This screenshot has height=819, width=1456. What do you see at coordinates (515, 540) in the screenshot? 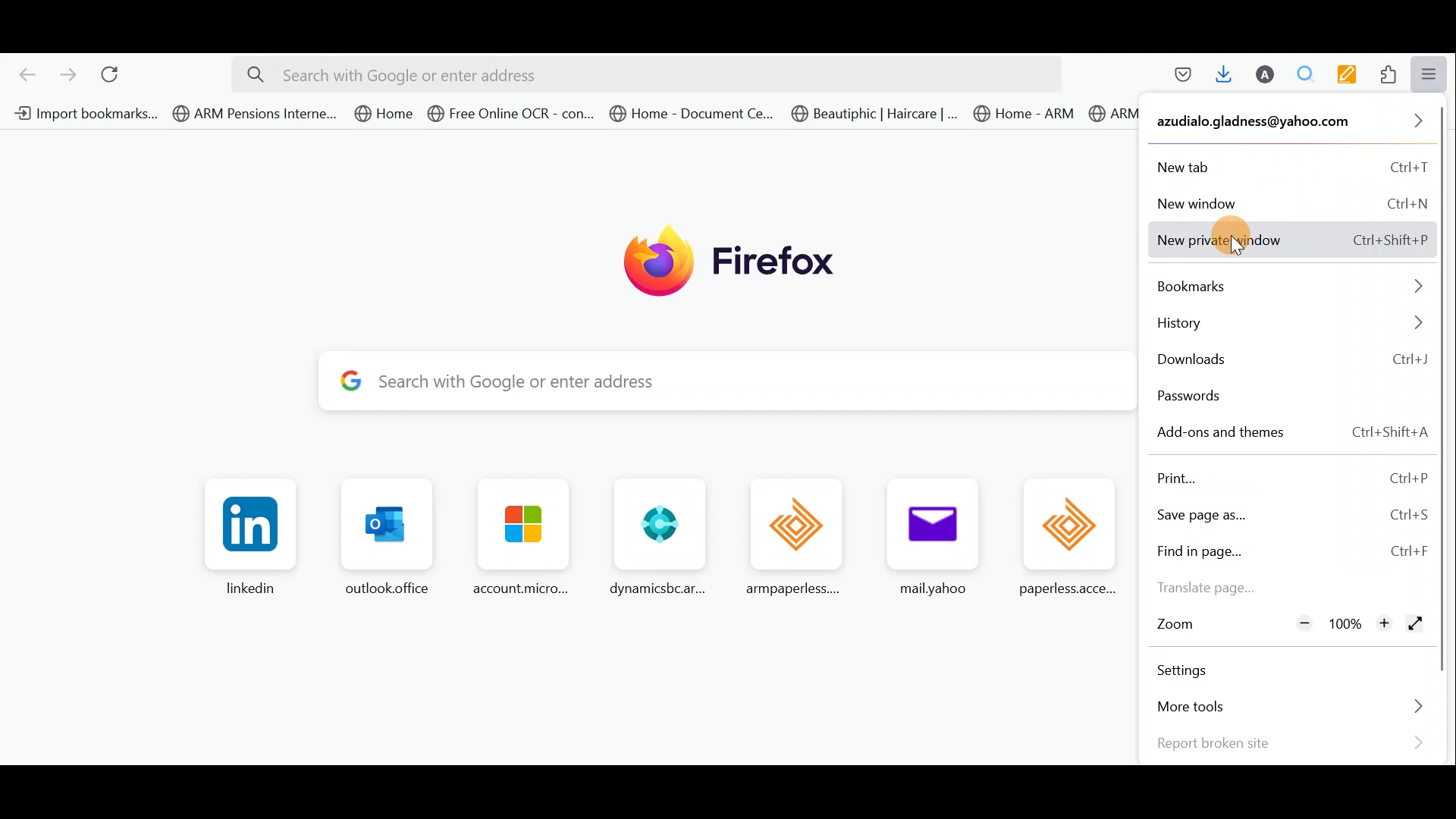
I see `account.micro...` at bounding box center [515, 540].